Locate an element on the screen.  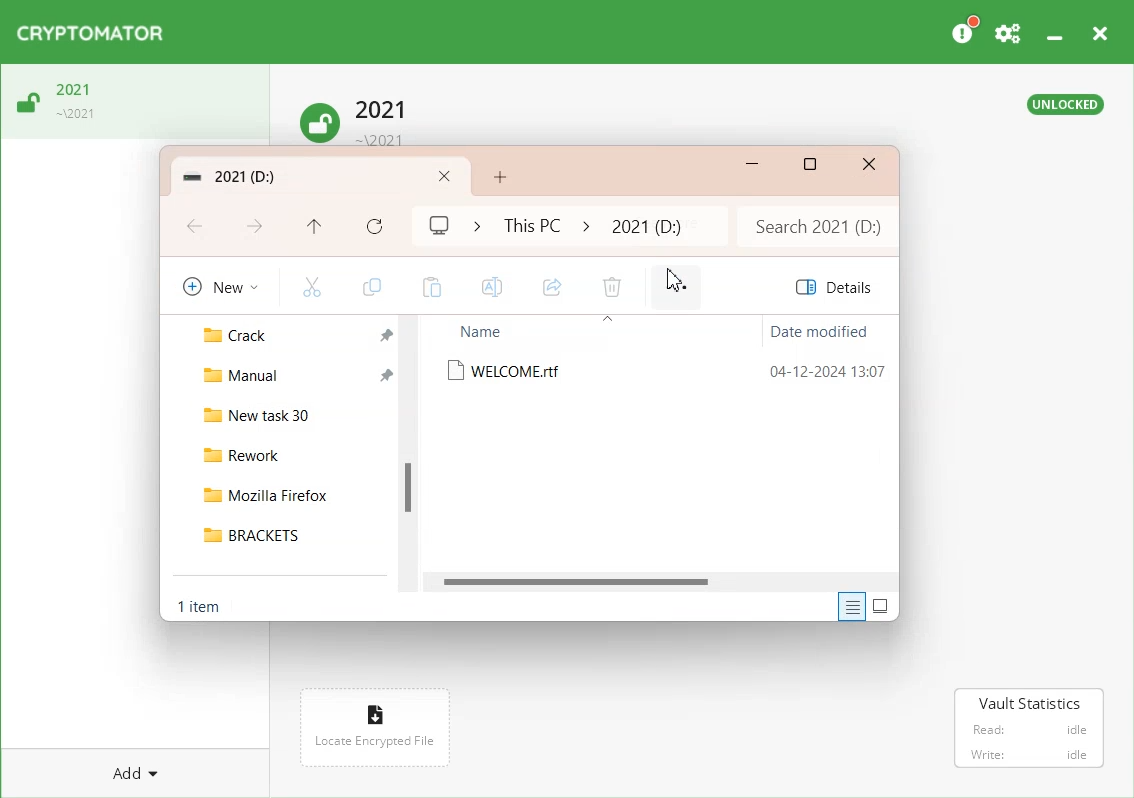
Delete is located at coordinates (613, 286).